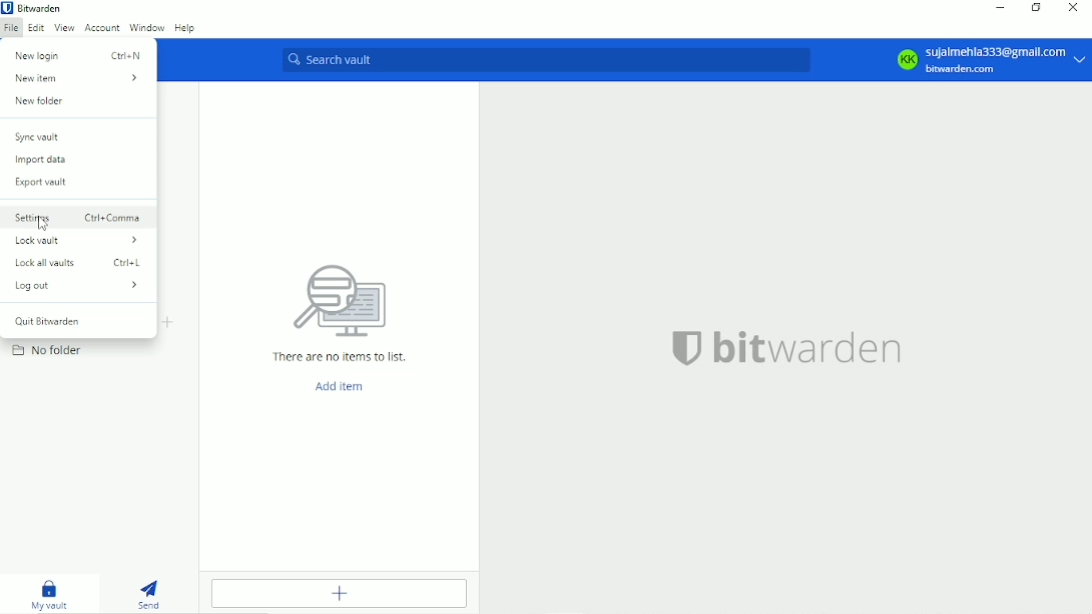  I want to click on Send, so click(150, 593).